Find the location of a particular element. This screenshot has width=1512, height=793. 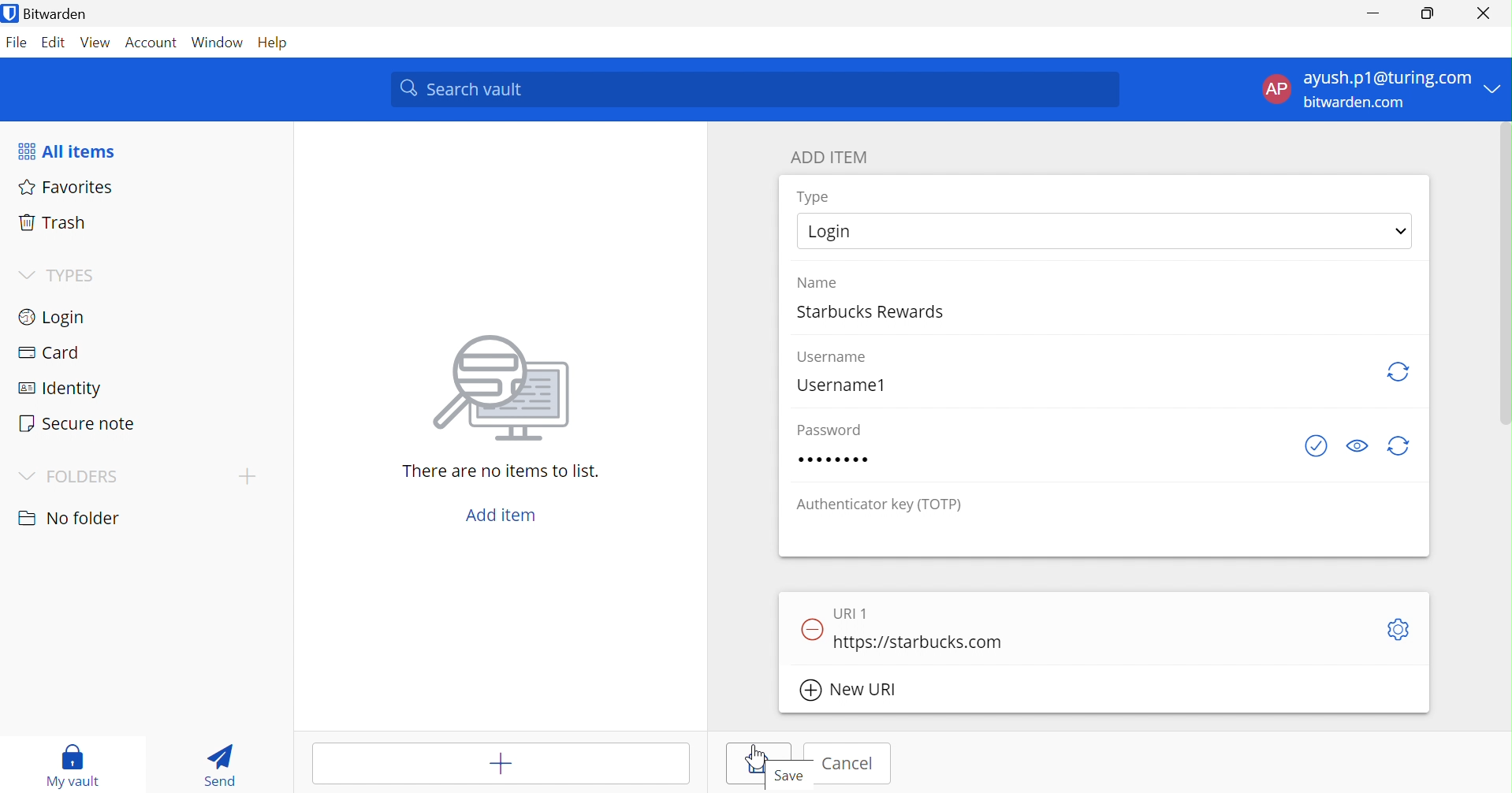

Trash is located at coordinates (51, 225).